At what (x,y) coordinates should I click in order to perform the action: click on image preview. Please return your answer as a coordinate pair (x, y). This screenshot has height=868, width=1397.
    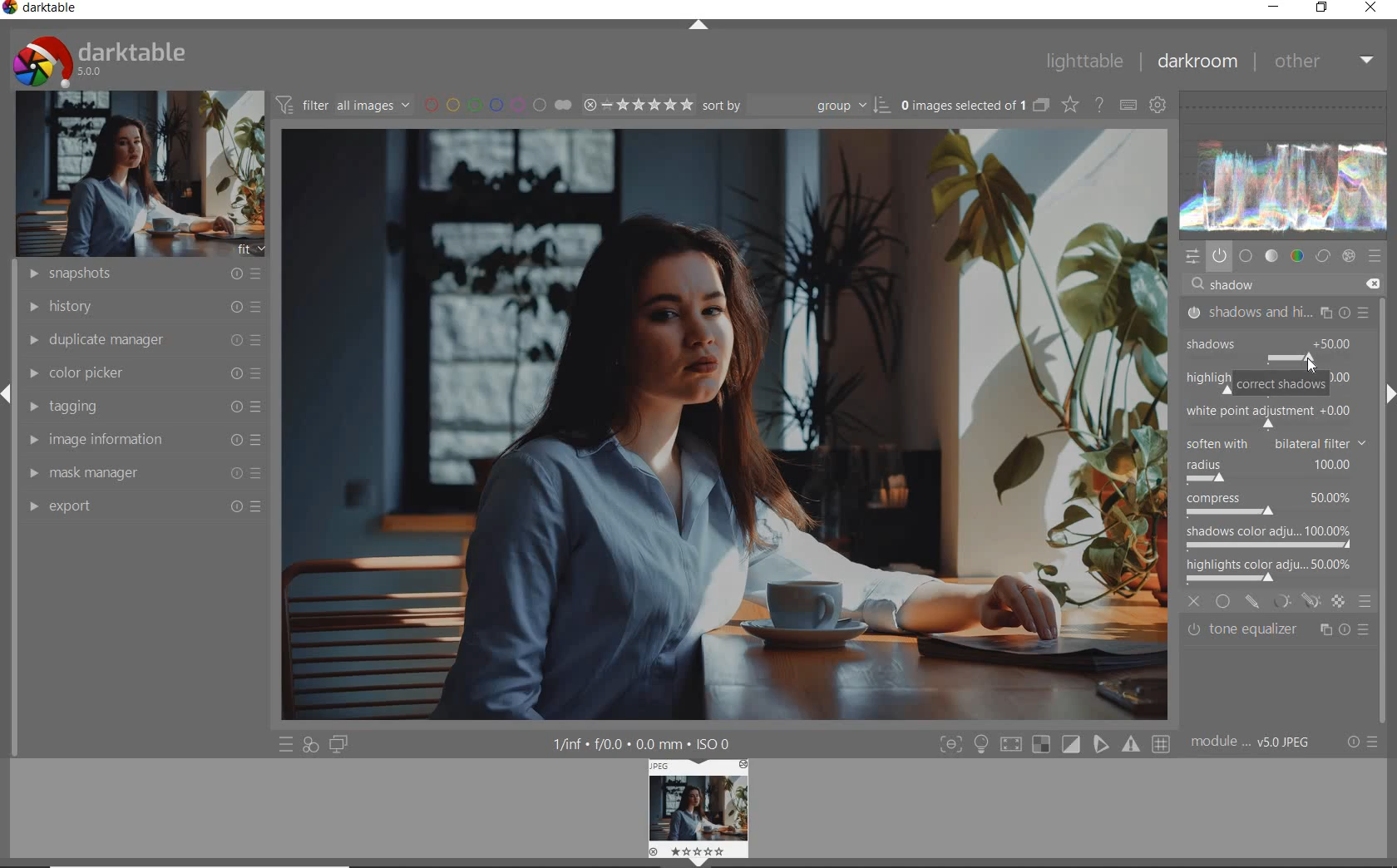
    Looking at the image, I should click on (694, 806).